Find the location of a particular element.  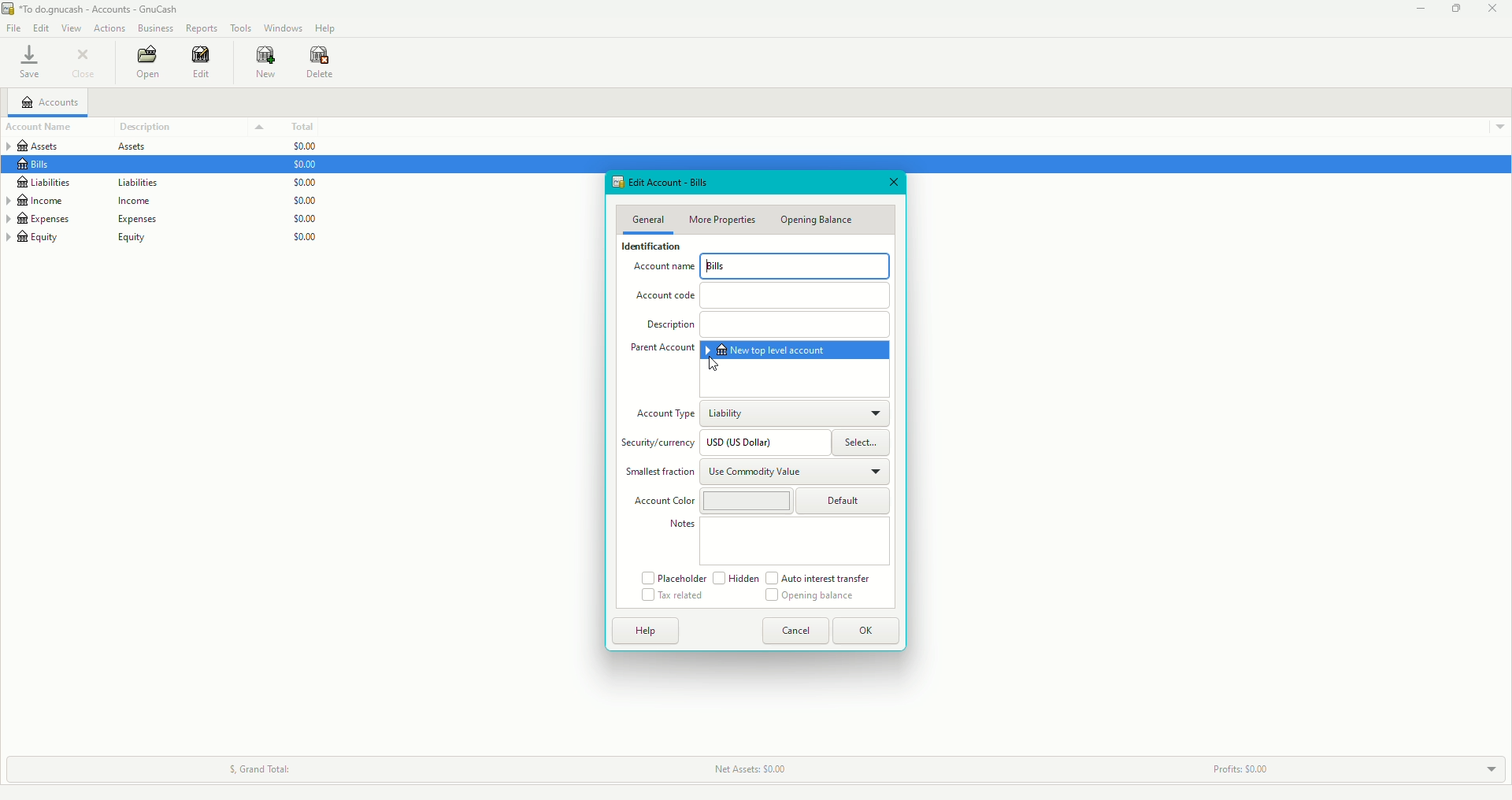

Default is located at coordinates (844, 502).